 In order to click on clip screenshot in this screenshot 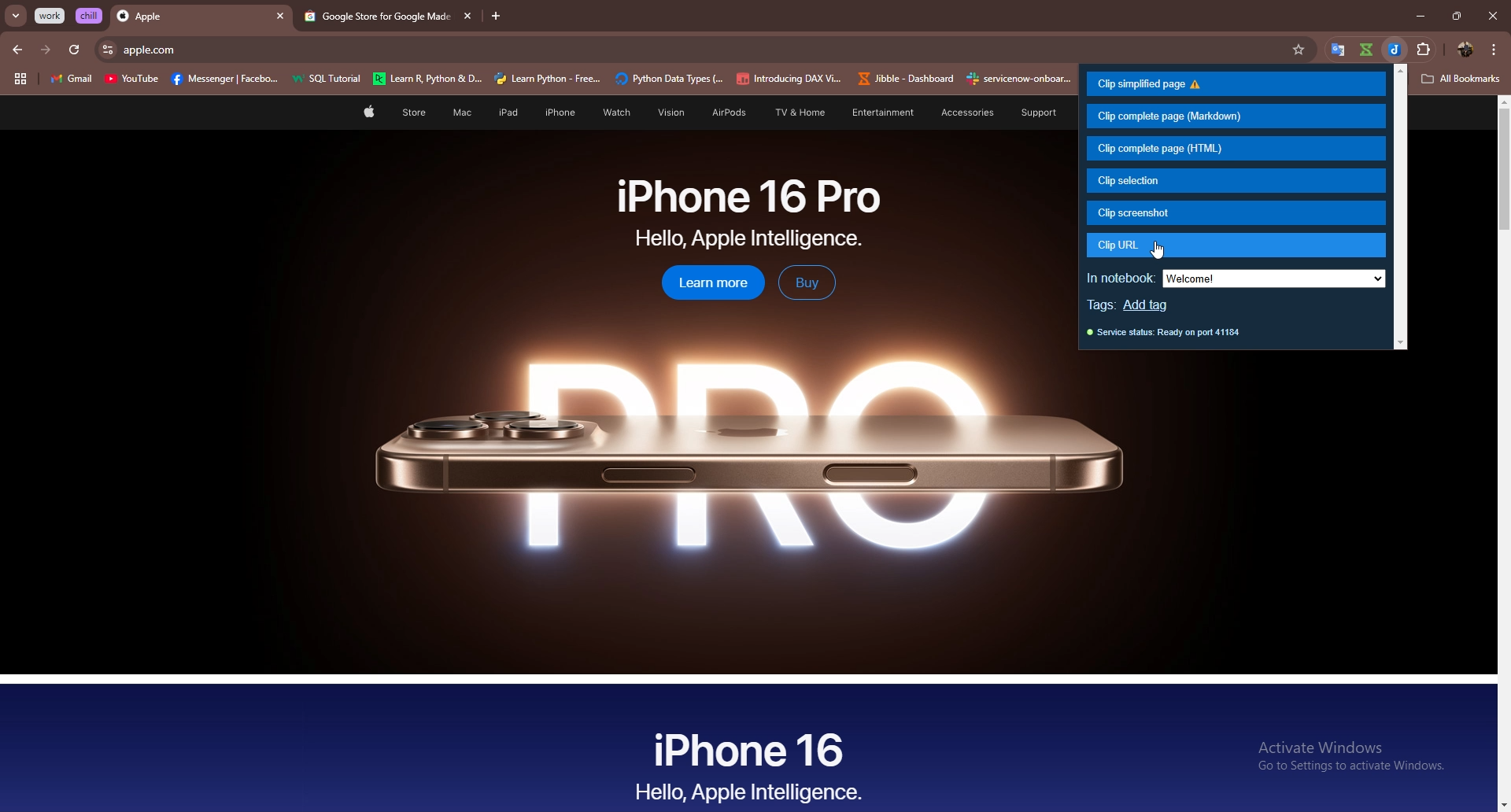, I will do `click(1236, 212)`.